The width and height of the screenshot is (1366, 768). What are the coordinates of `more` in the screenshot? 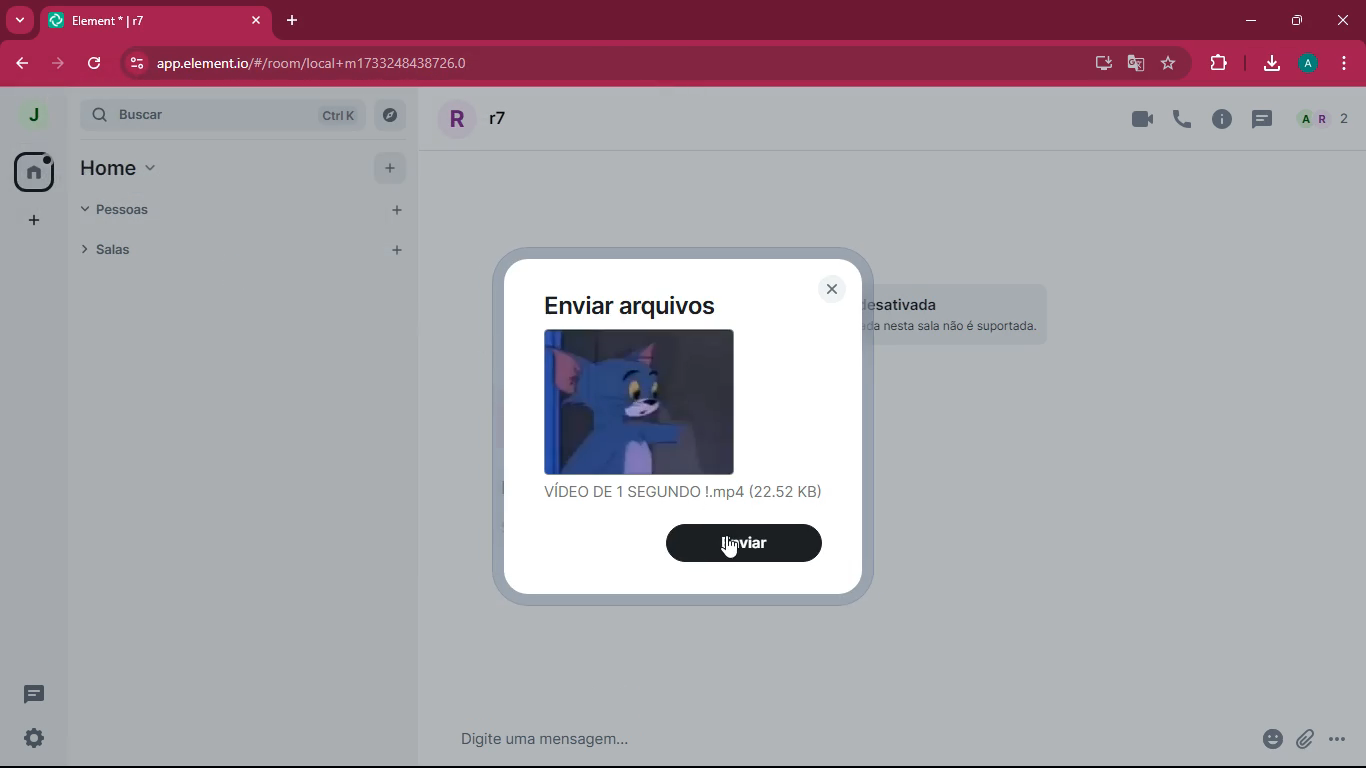 It's located at (1339, 740).